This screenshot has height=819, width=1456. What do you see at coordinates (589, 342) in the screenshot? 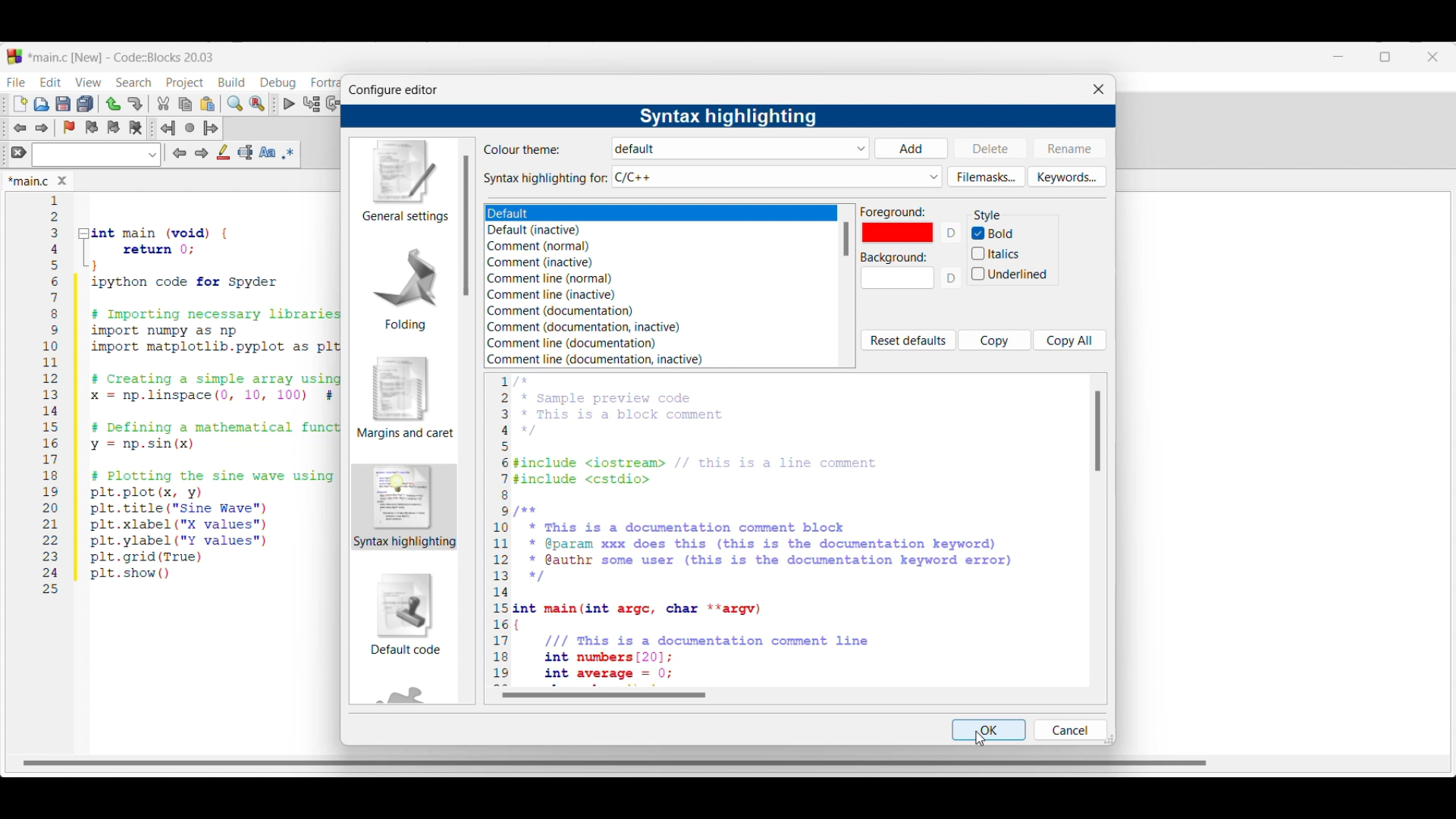
I see `Comment line (documentation)` at bounding box center [589, 342].